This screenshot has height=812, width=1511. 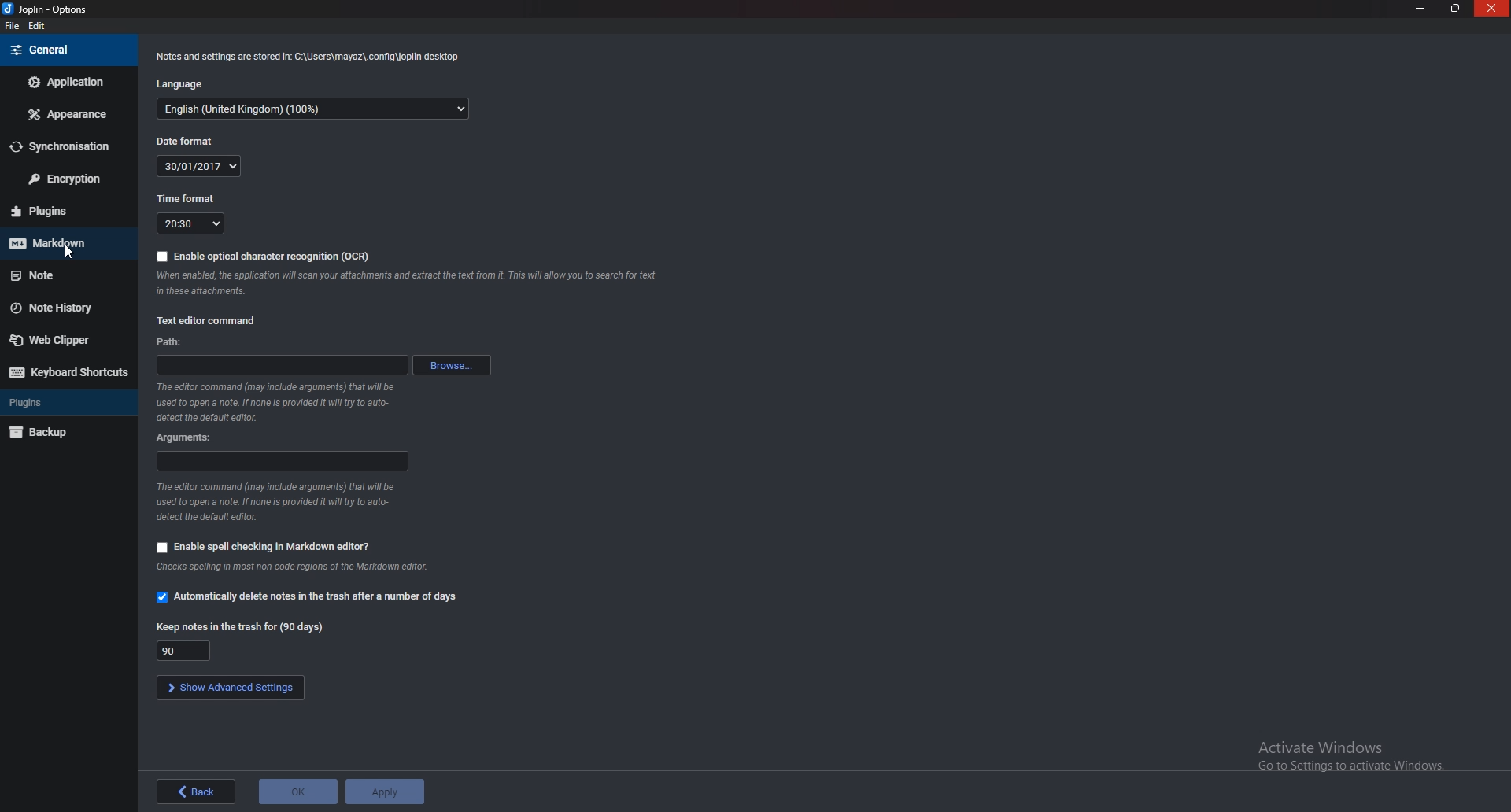 I want to click on Synchronization, so click(x=65, y=148).